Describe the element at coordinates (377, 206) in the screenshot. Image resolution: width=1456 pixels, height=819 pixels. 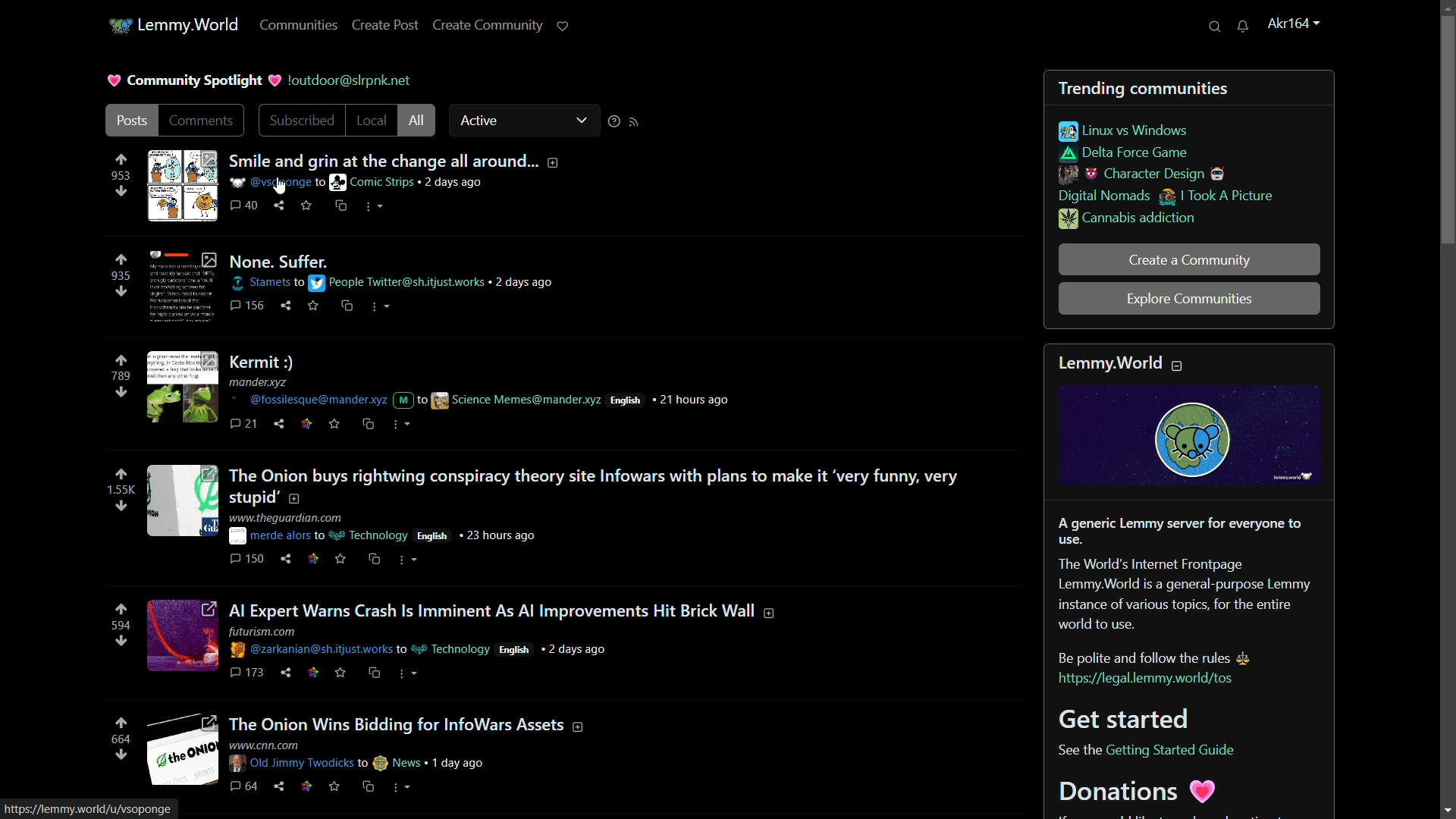
I see `more` at that location.